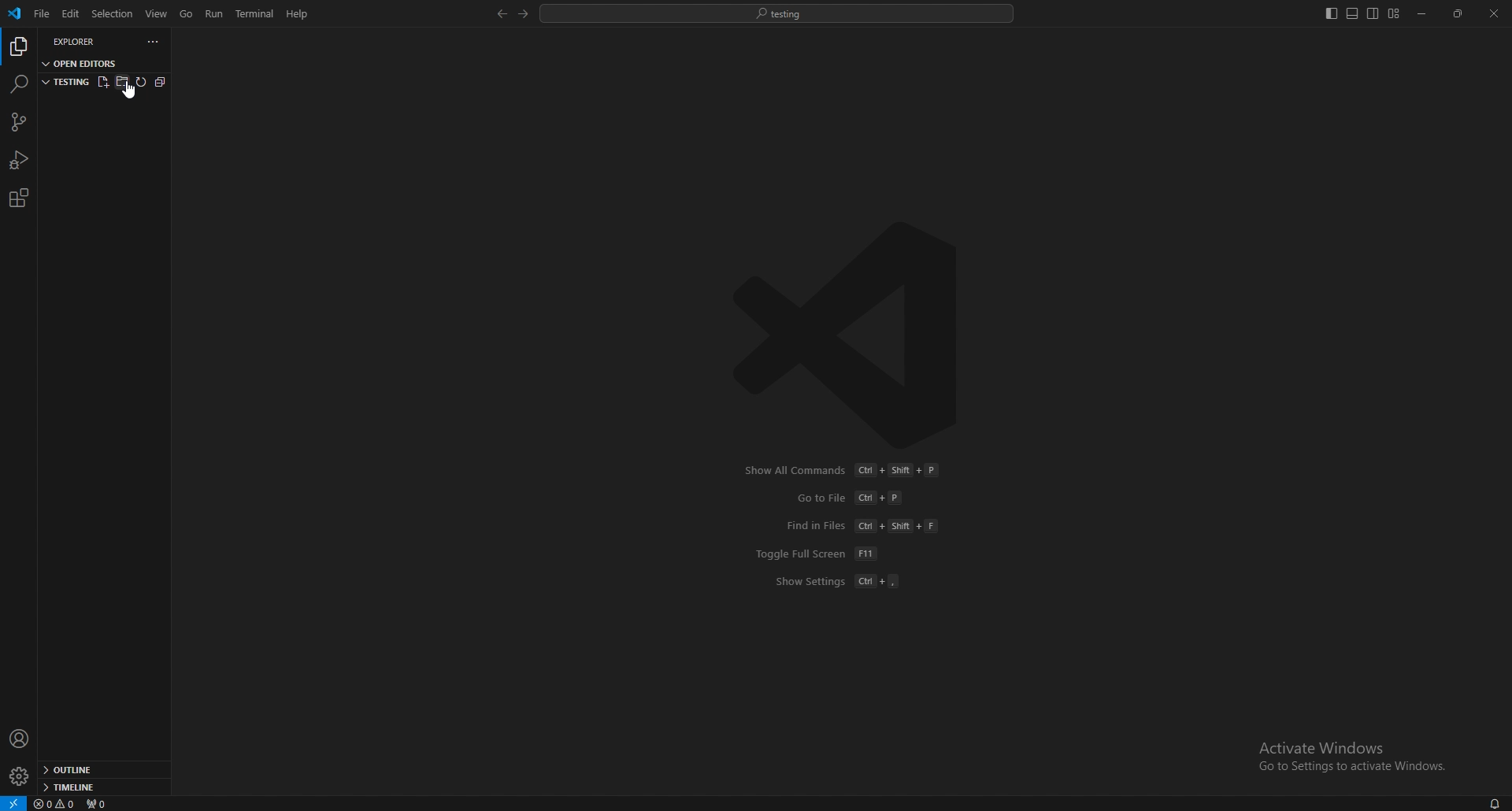  What do you see at coordinates (18, 198) in the screenshot?
I see `extension` at bounding box center [18, 198].